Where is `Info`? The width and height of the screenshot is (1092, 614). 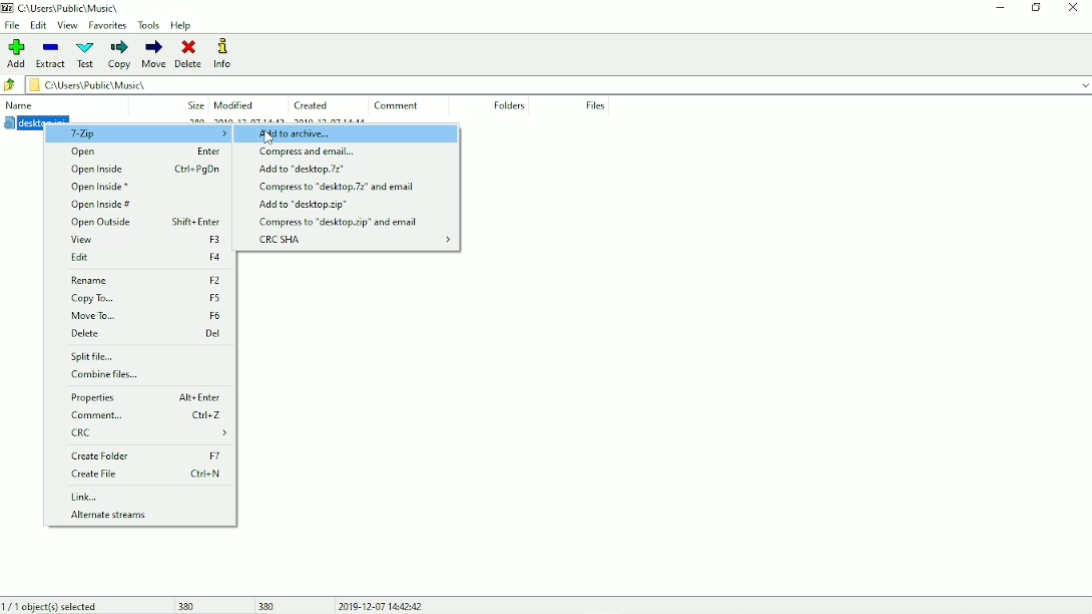 Info is located at coordinates (231, 53).